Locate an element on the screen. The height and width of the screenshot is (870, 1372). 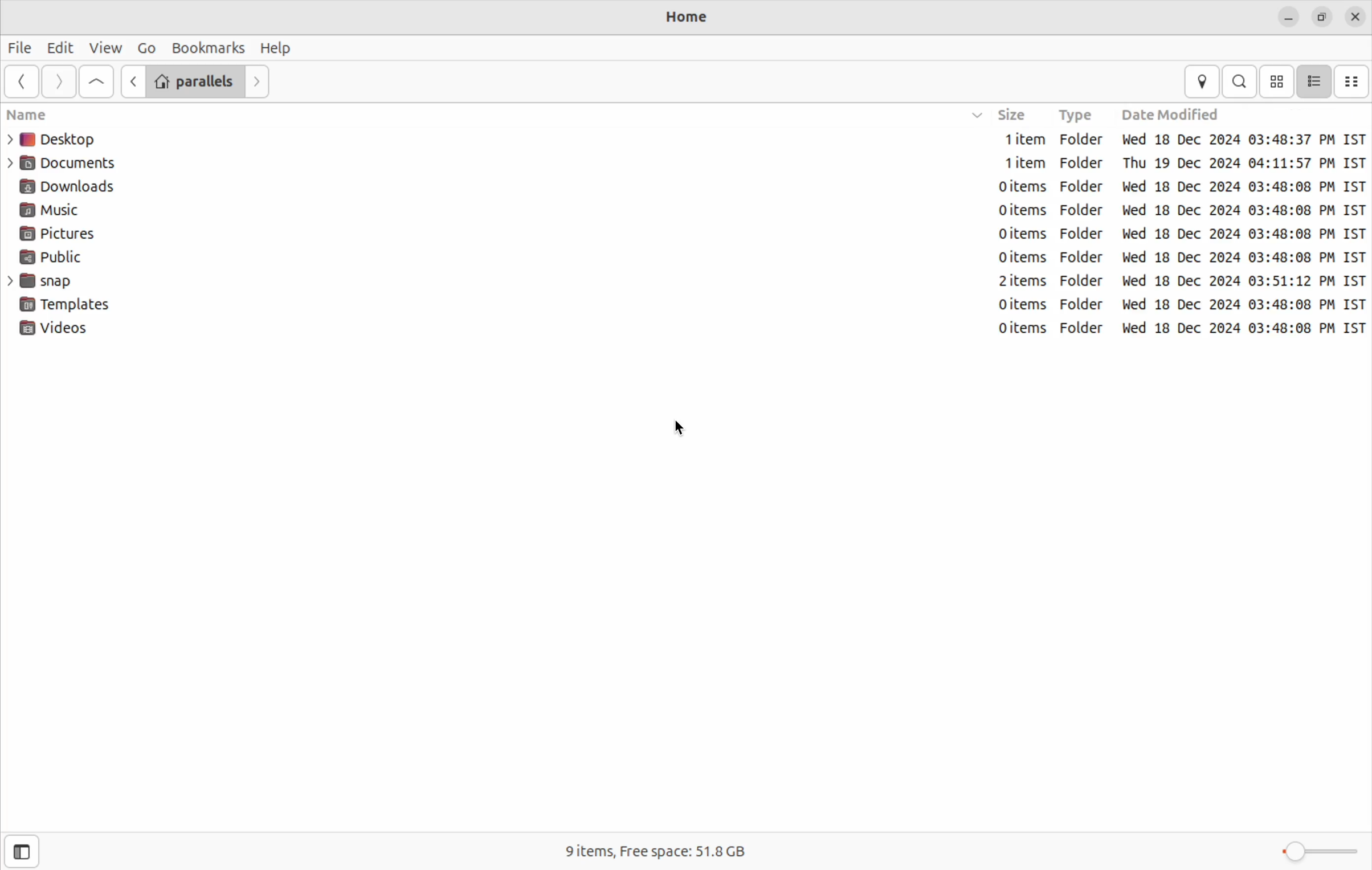
1 item is located at coordinates (1013, 163).